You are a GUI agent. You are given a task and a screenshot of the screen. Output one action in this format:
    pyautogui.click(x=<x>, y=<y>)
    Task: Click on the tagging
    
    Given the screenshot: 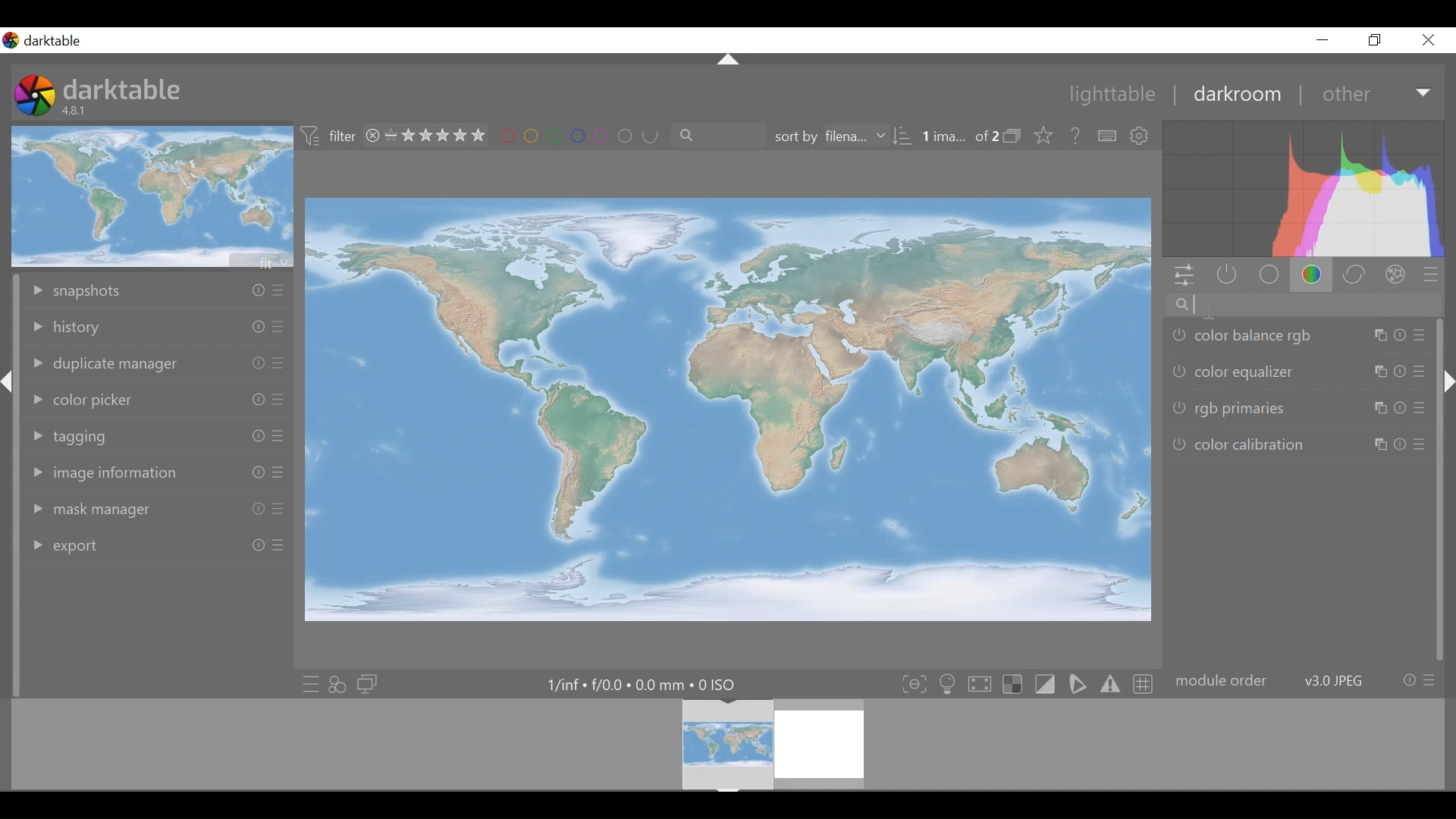 What is the action you would take?
    pyautogui.click(x=160, y=435)
    